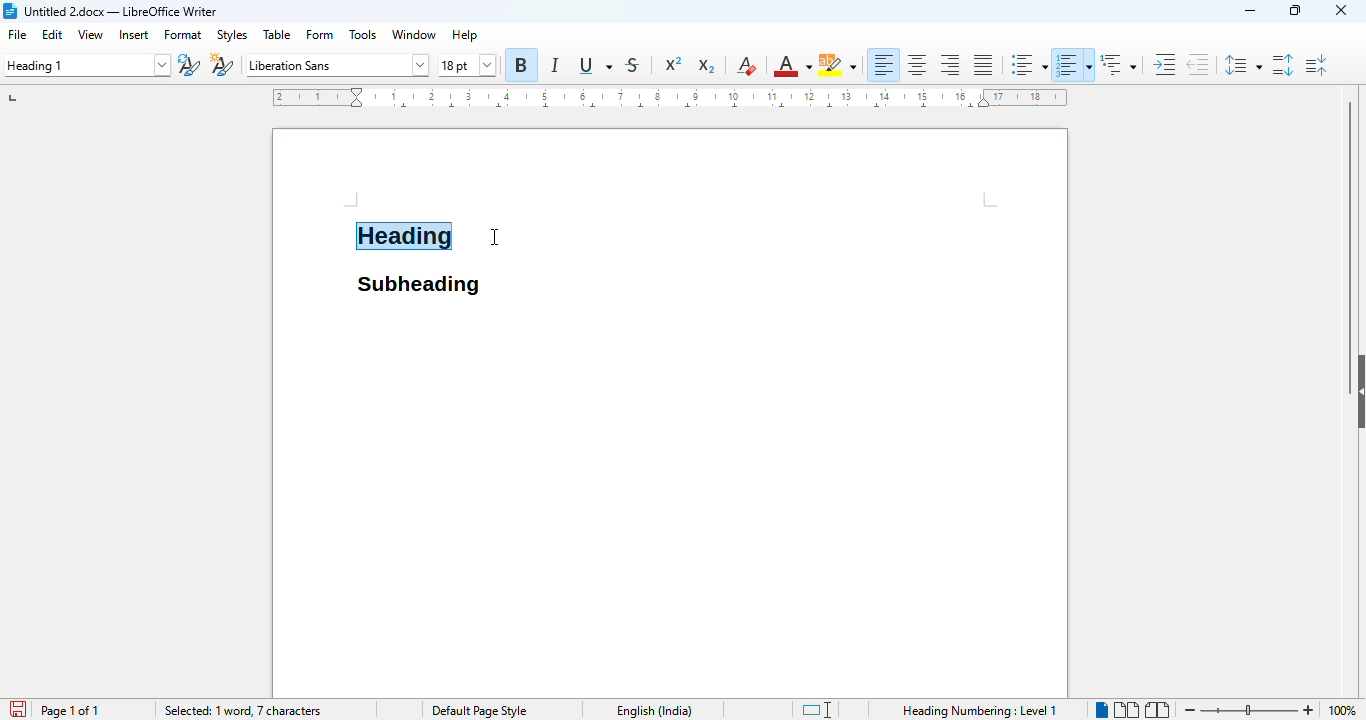 The width and height of the screenshot is (1366, 720). I want to click on text, so click(417, 289).